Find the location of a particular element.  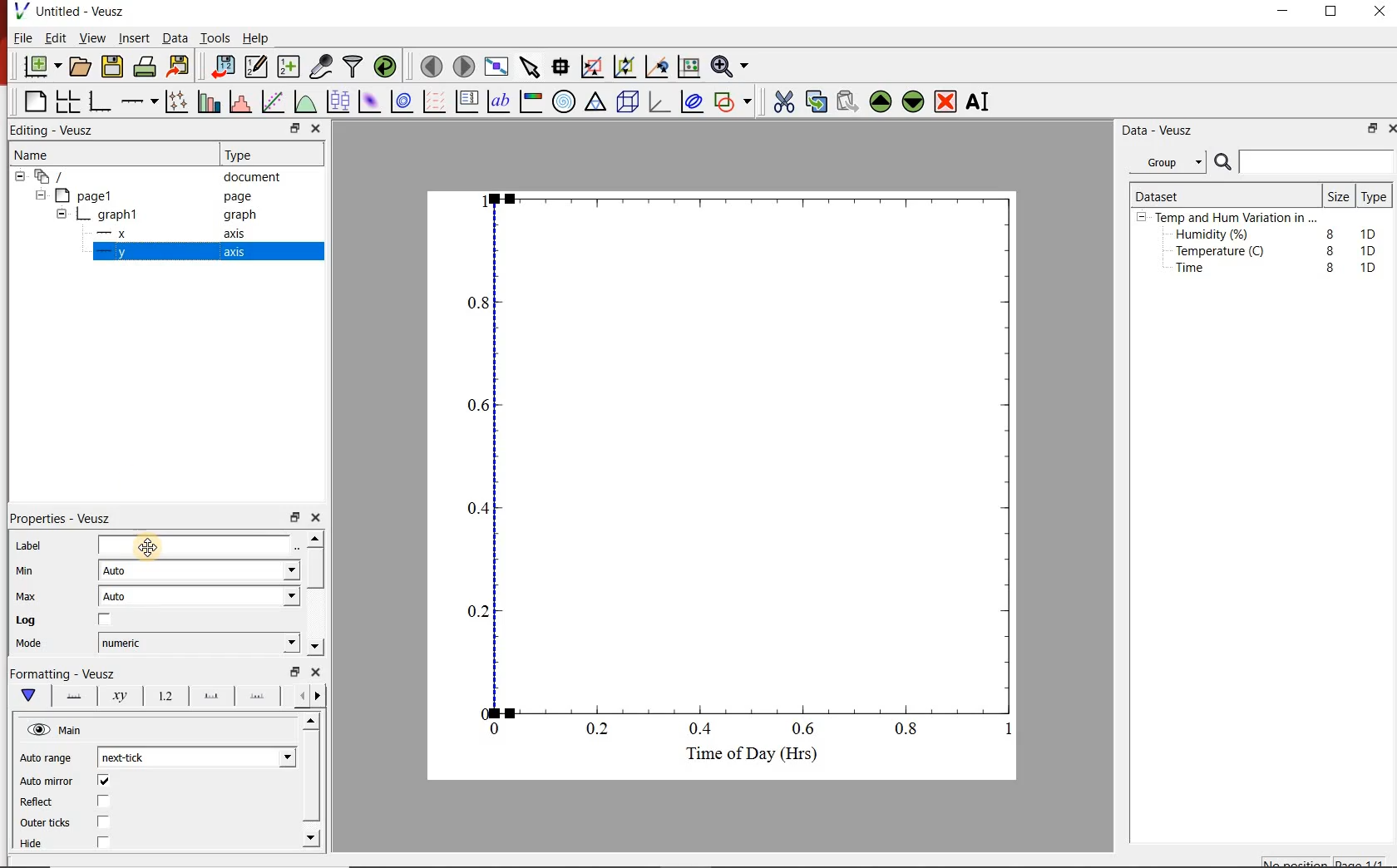

Temperature (C) is located at coordinates (1223, 253).